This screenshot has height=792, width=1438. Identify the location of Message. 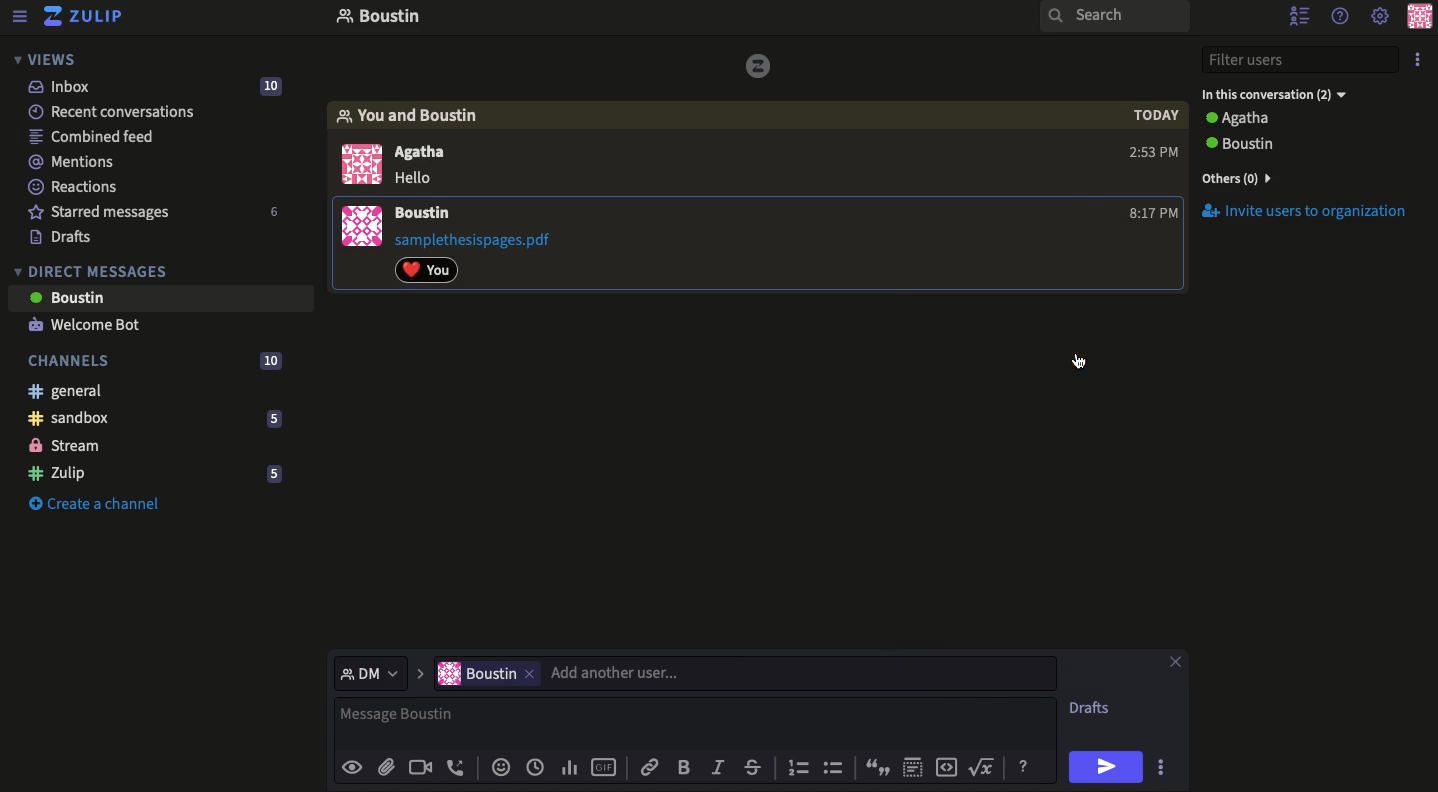
(695, 721).